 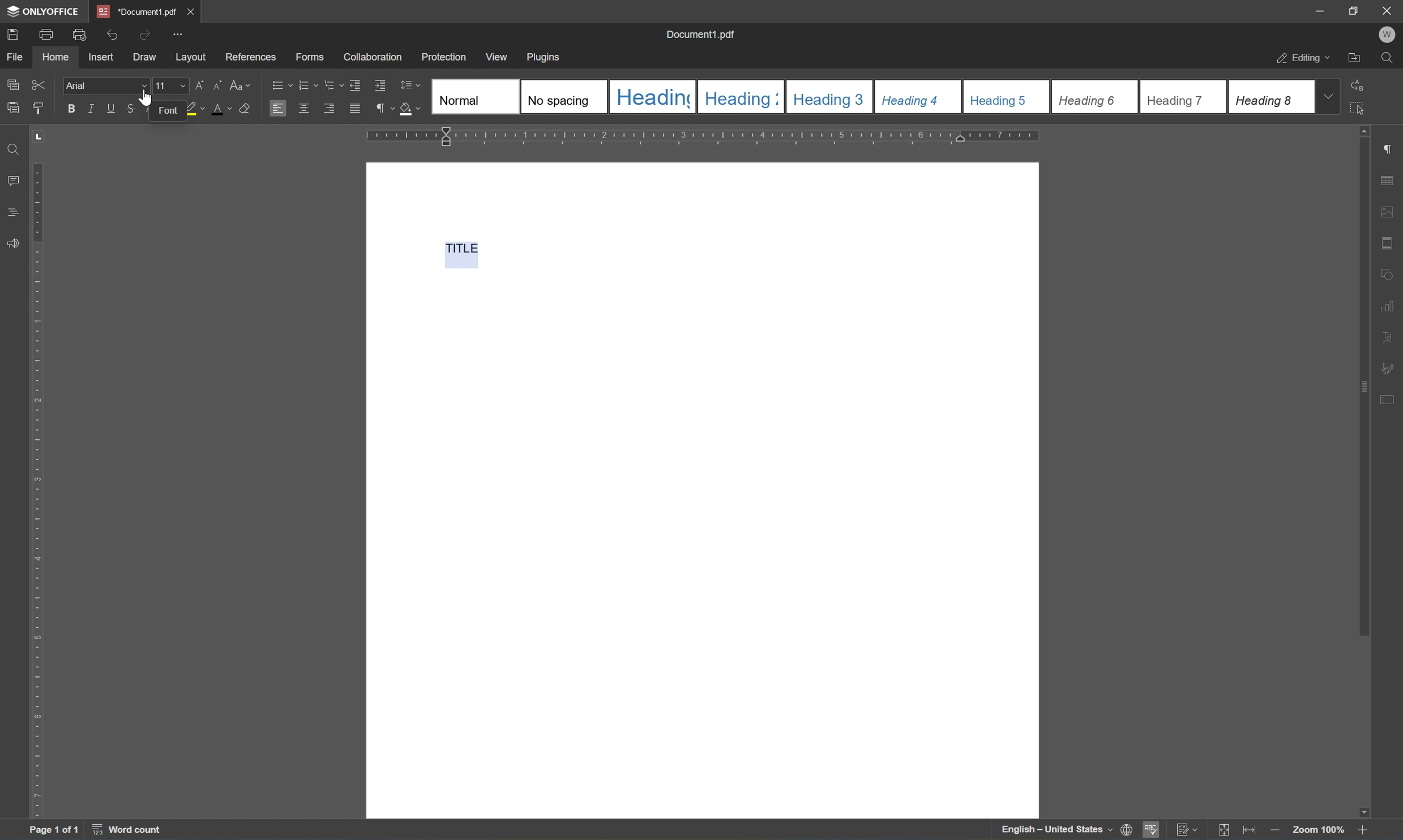 What do you see at coordinates (703, 35) in the screenshot?
I see `document1.pdf` at bounding box center [703, 35].